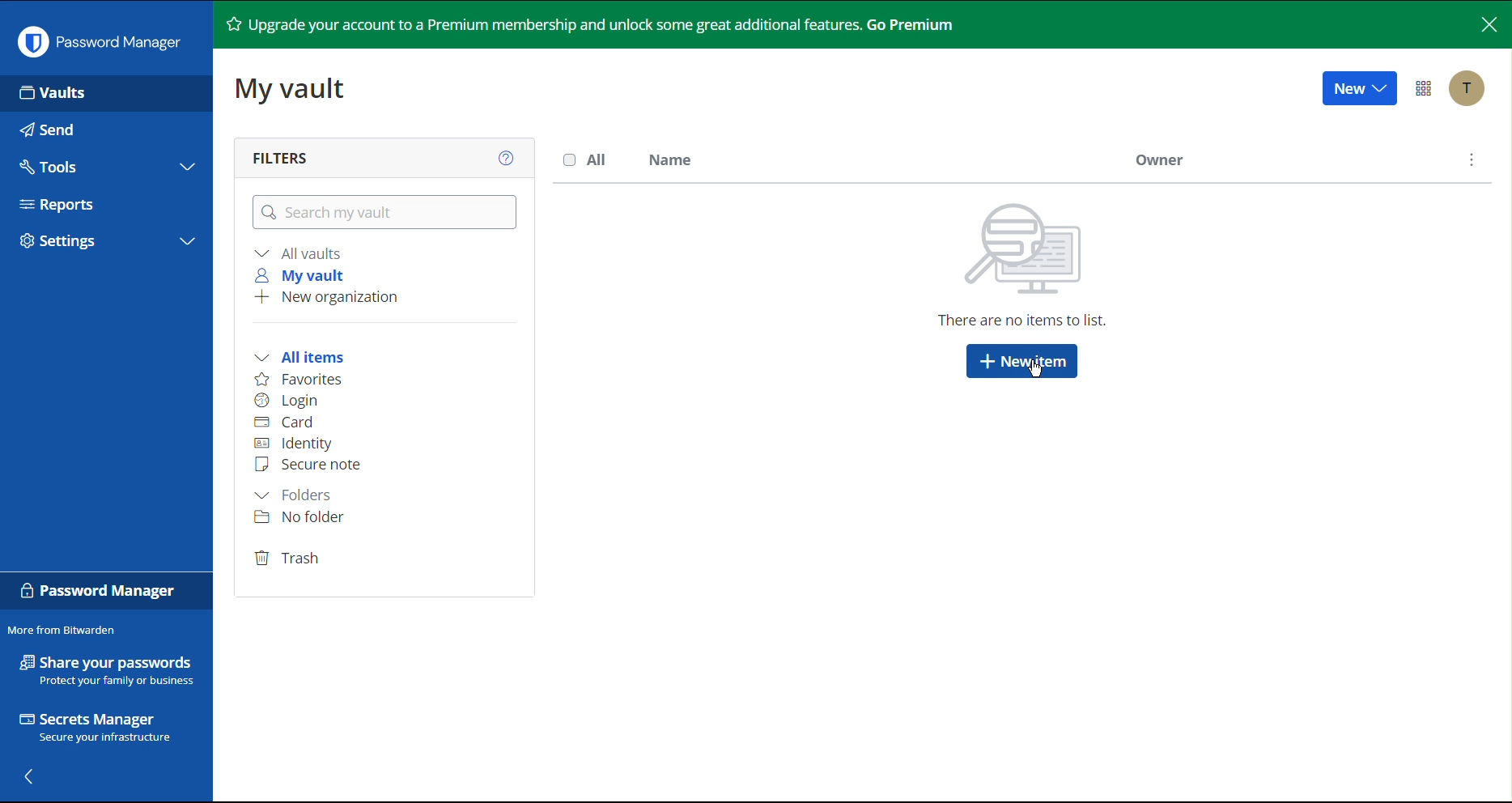 This screenshot has height=803, width=1512. Describe the element at coordinates (302, 276) in the screenshot. I see `My vault` at that location.